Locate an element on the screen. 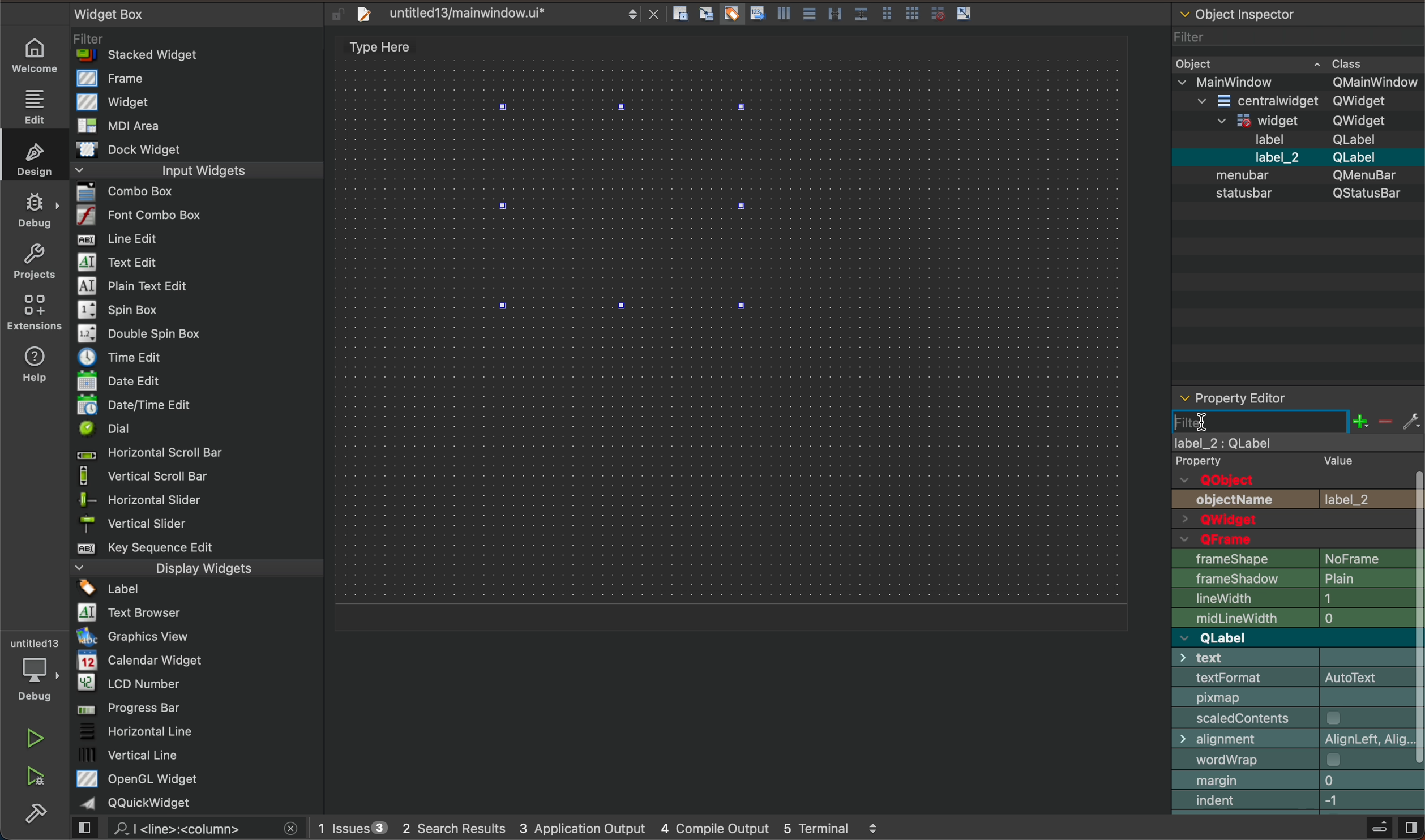 This screenshot has height=840, width=1425. projects is located at coordinates (33, 259).